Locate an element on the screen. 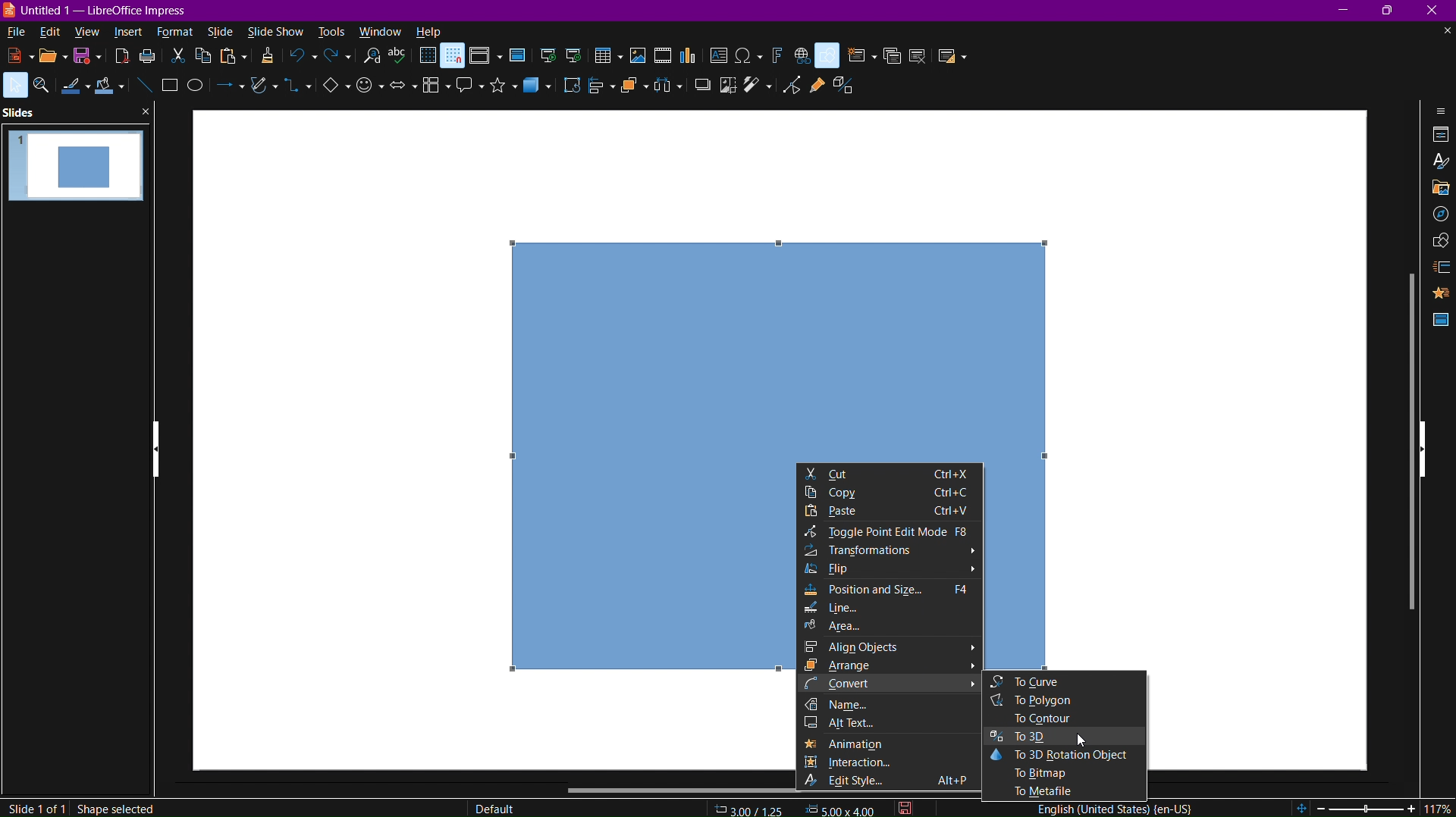  Slide Layout is located at coordinates (950, 55).